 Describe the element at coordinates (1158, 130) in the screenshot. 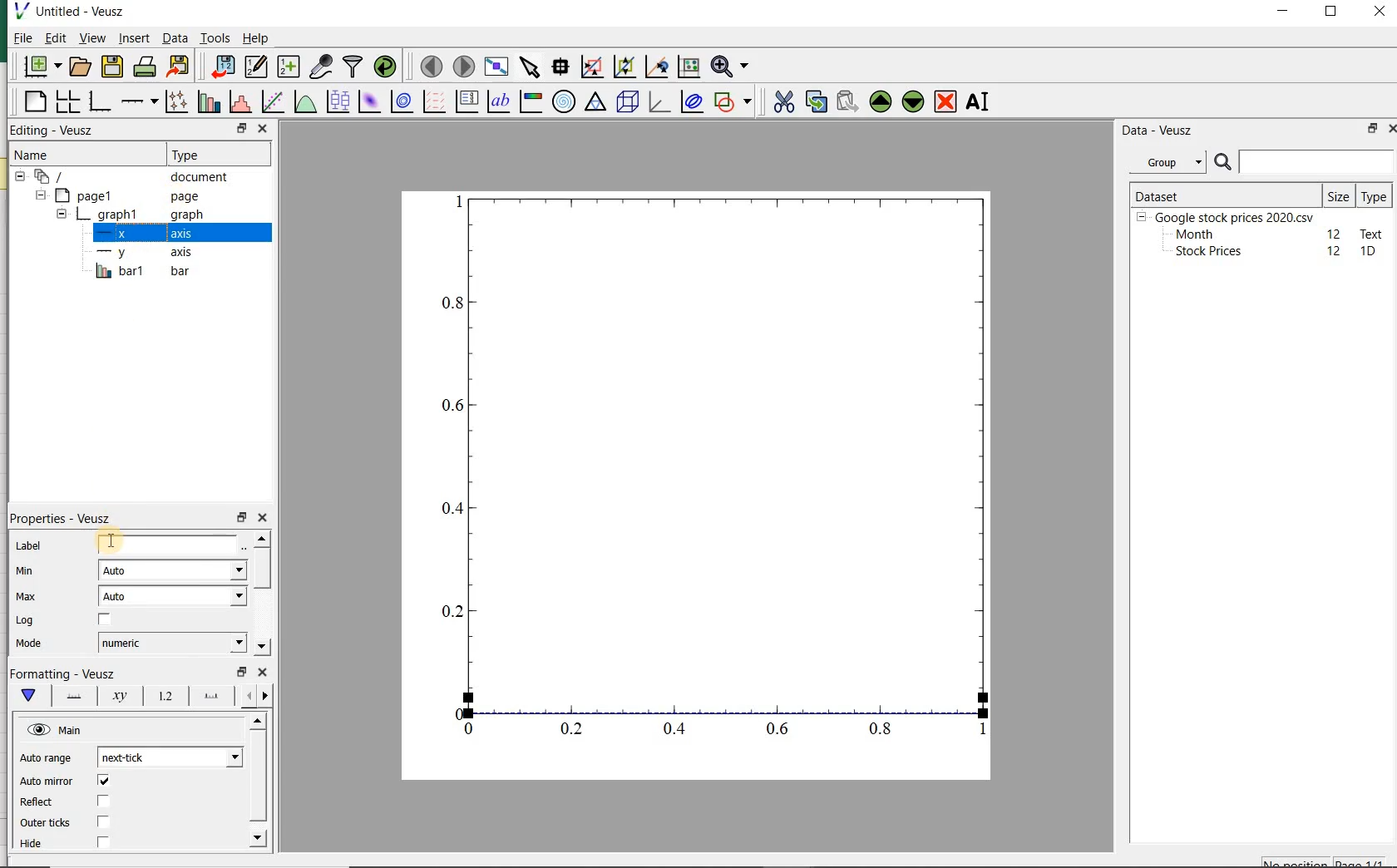

I see `Data - Veusz` at that location.